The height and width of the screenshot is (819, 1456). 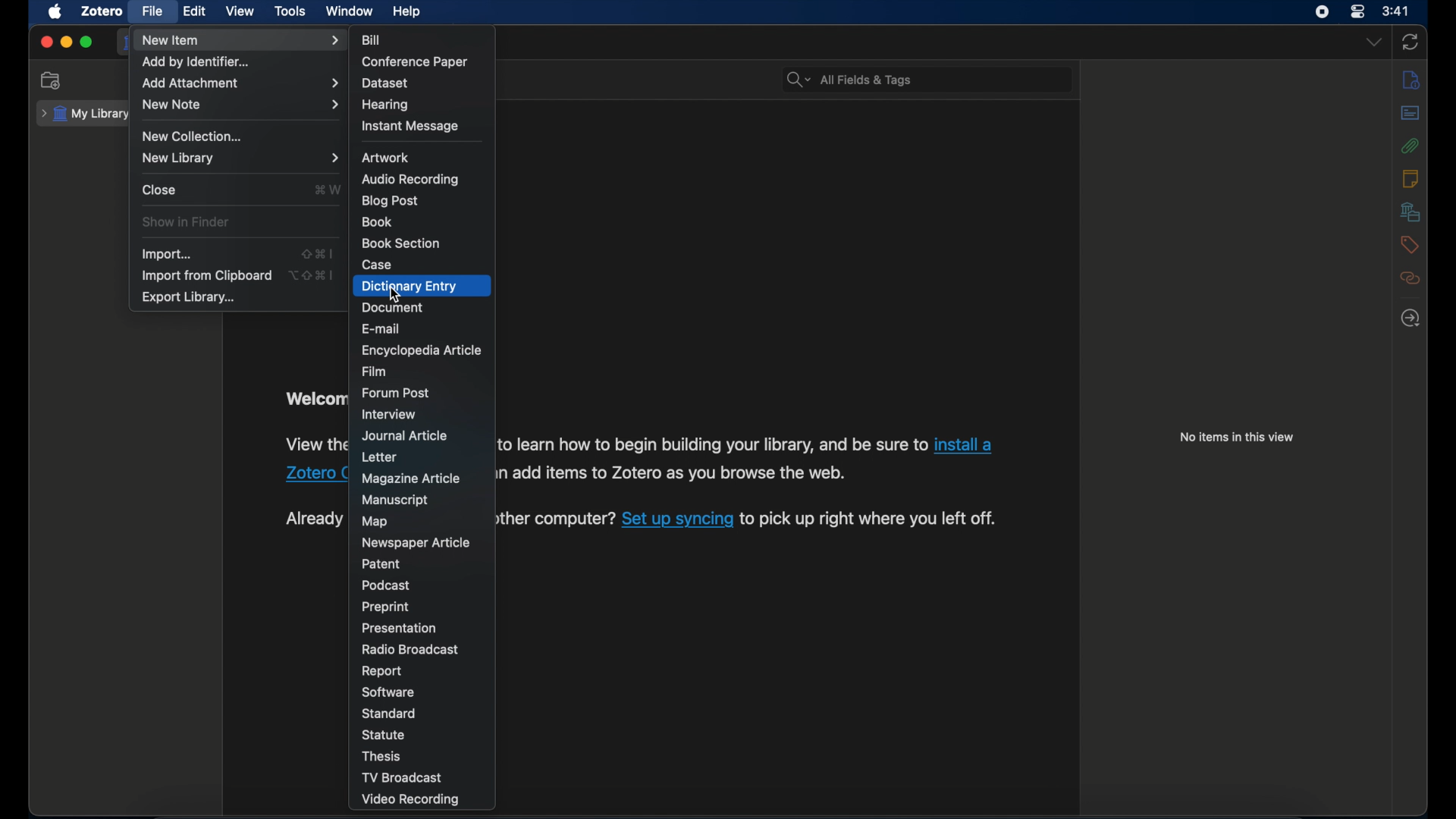 What do you see at coordinates (1410, 42) in the screenshot?
I see `sync` at bounding box center [1410, 42].